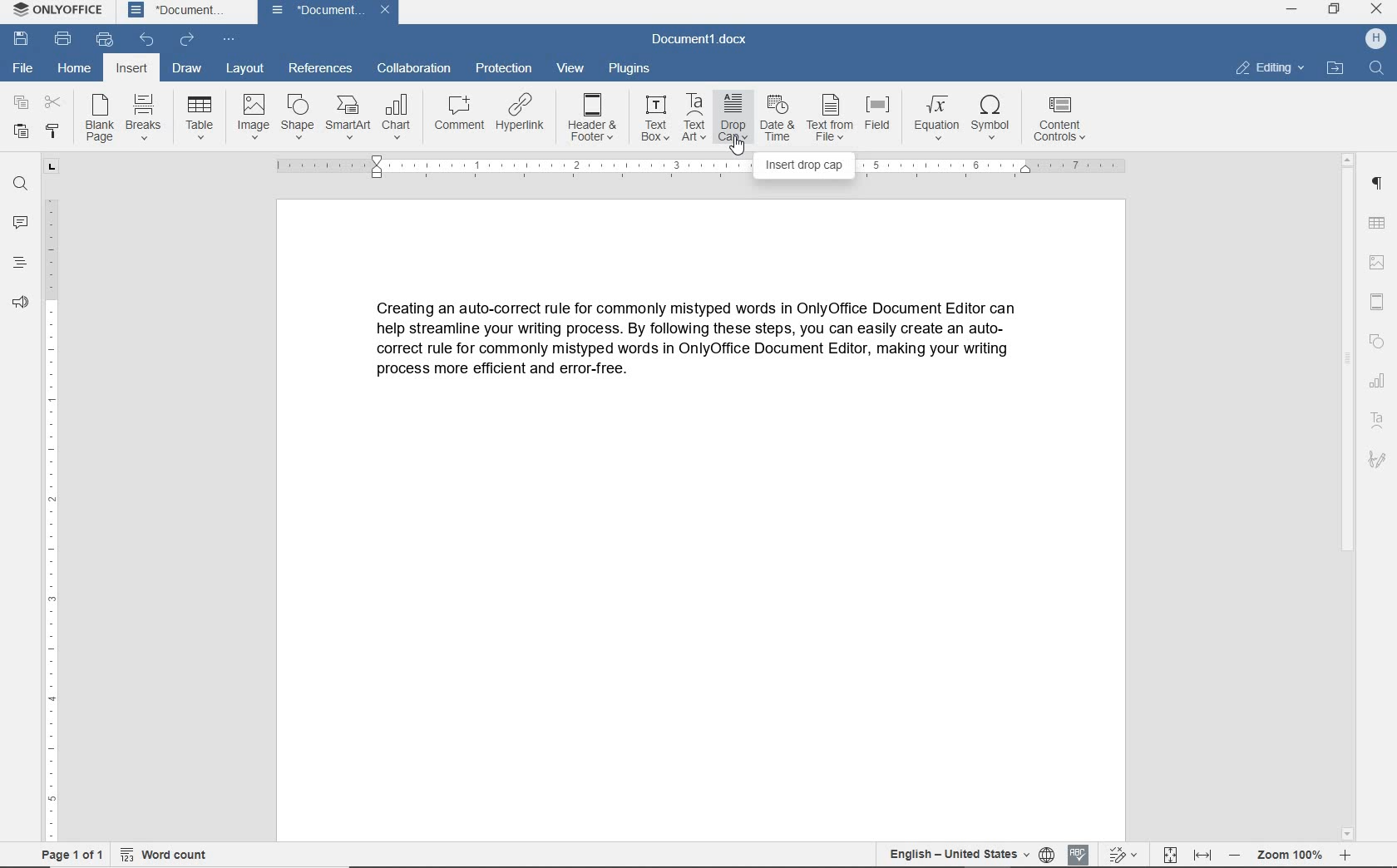  What do you see at coordinates (71, 857) in the screenshot?
I see `page 1 of 1` at bounding box center [71, 857].